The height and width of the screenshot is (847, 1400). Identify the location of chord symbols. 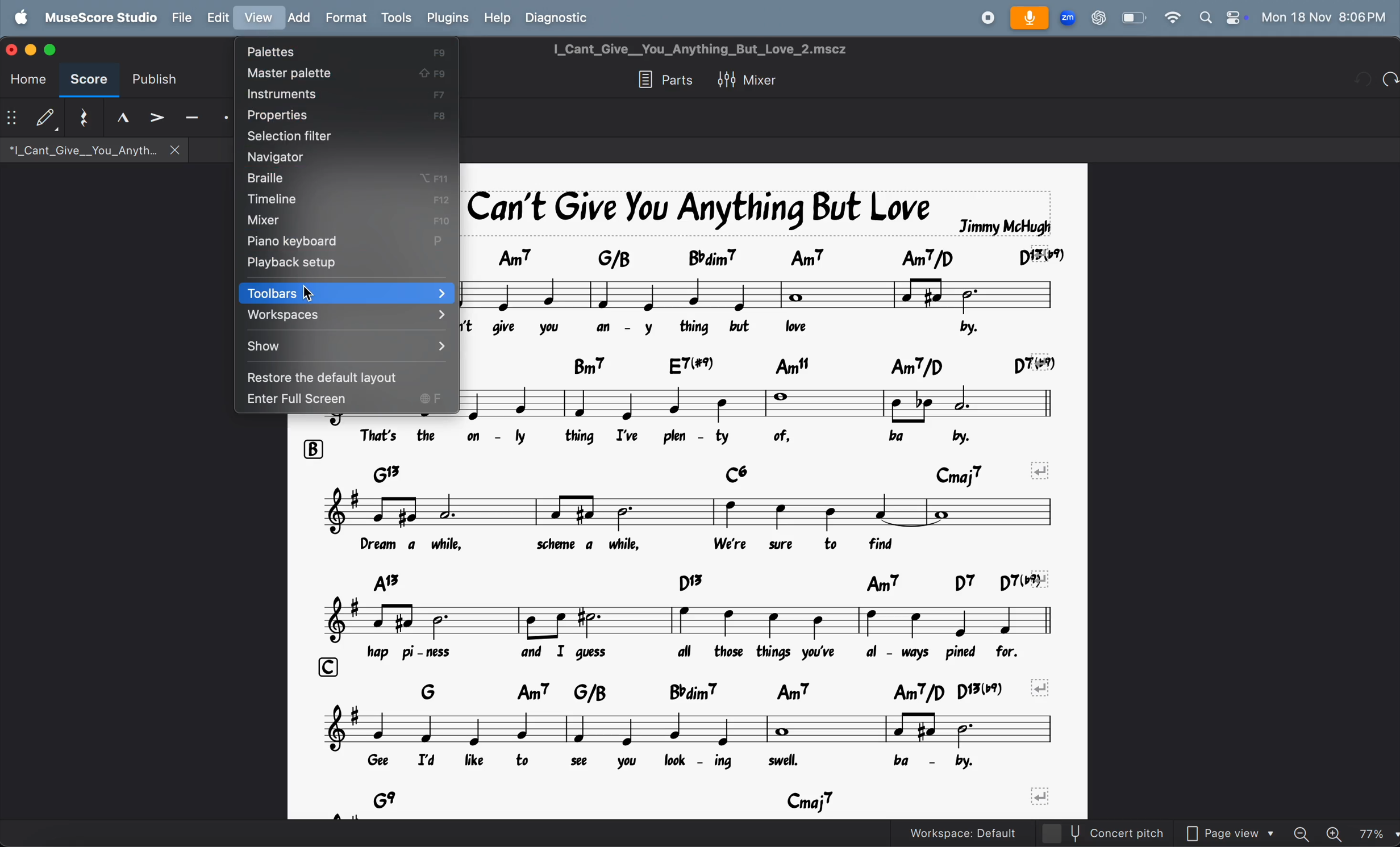
(697, 583).